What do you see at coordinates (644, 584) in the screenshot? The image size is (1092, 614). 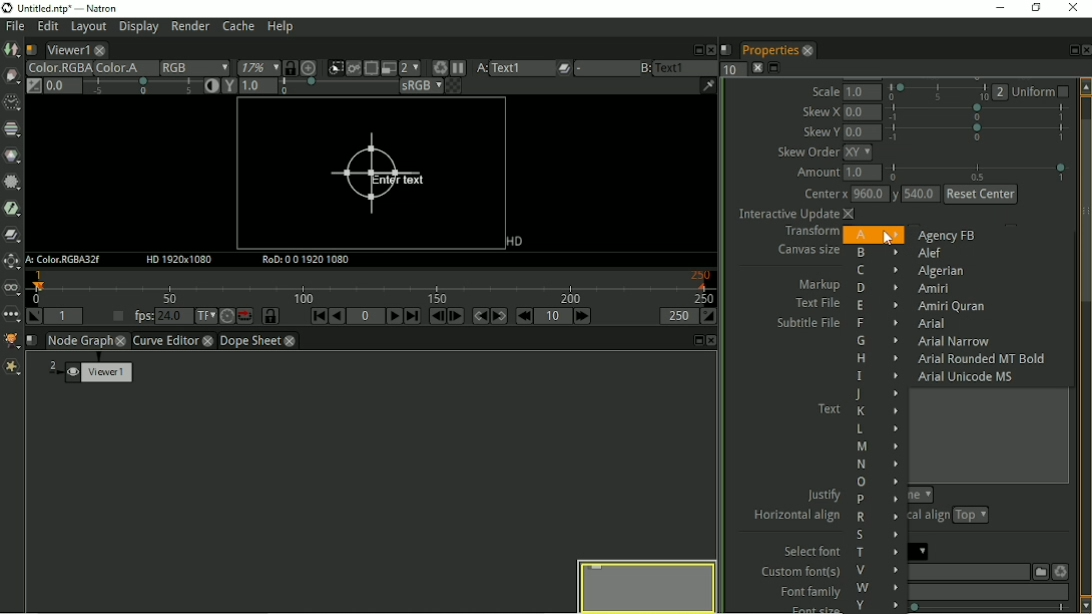 I see `Preview` at bounding box center [644, 584].